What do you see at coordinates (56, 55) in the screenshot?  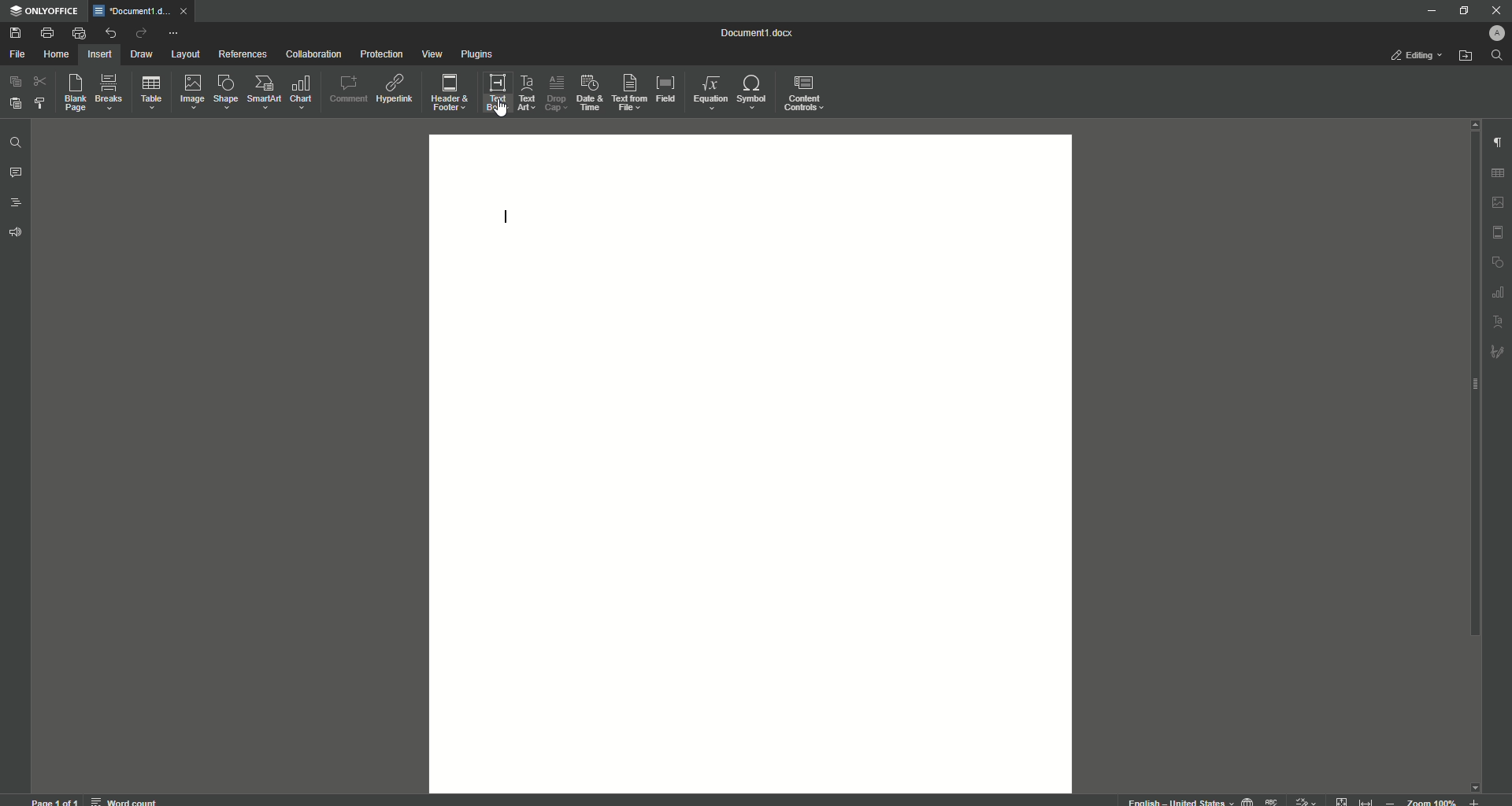 I see `Home` at bounding box center [56, 55].